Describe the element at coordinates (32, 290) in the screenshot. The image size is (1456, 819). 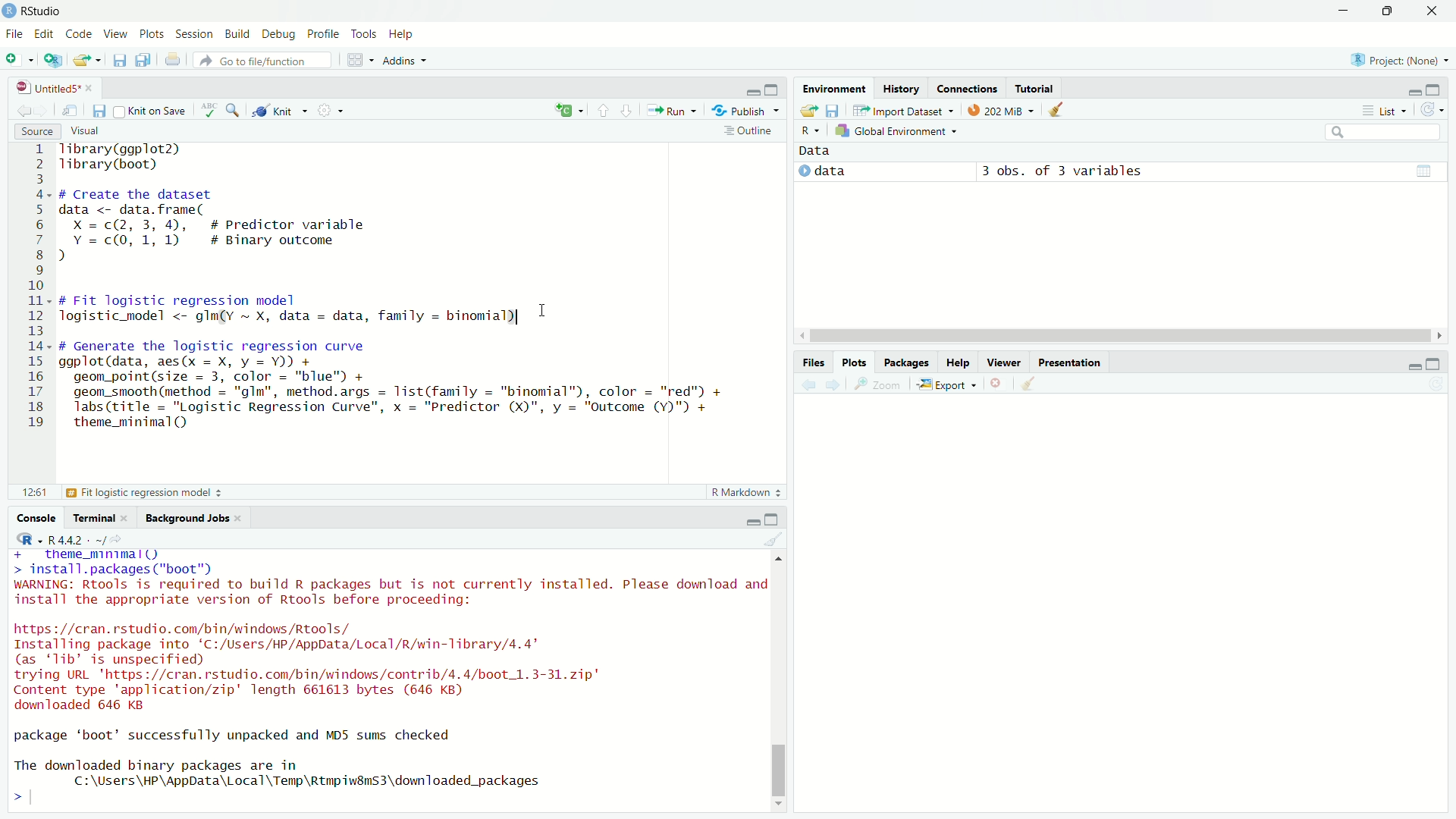
I see `Line numbers` at that location.